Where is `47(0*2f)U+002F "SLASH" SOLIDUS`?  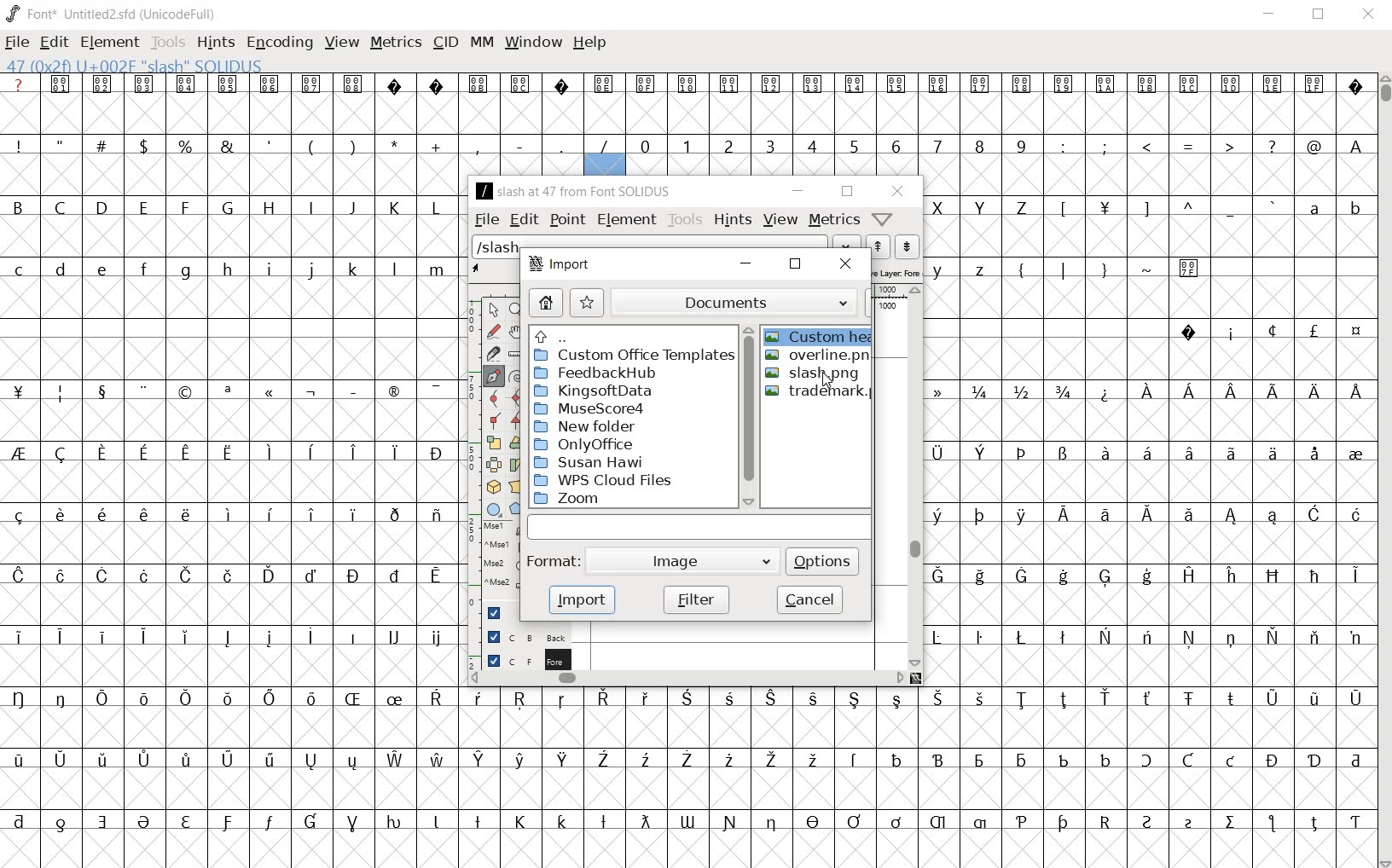 47(0*2f)U+002F "SLASH" SOLIDUS is located at coordinates (606, 165).